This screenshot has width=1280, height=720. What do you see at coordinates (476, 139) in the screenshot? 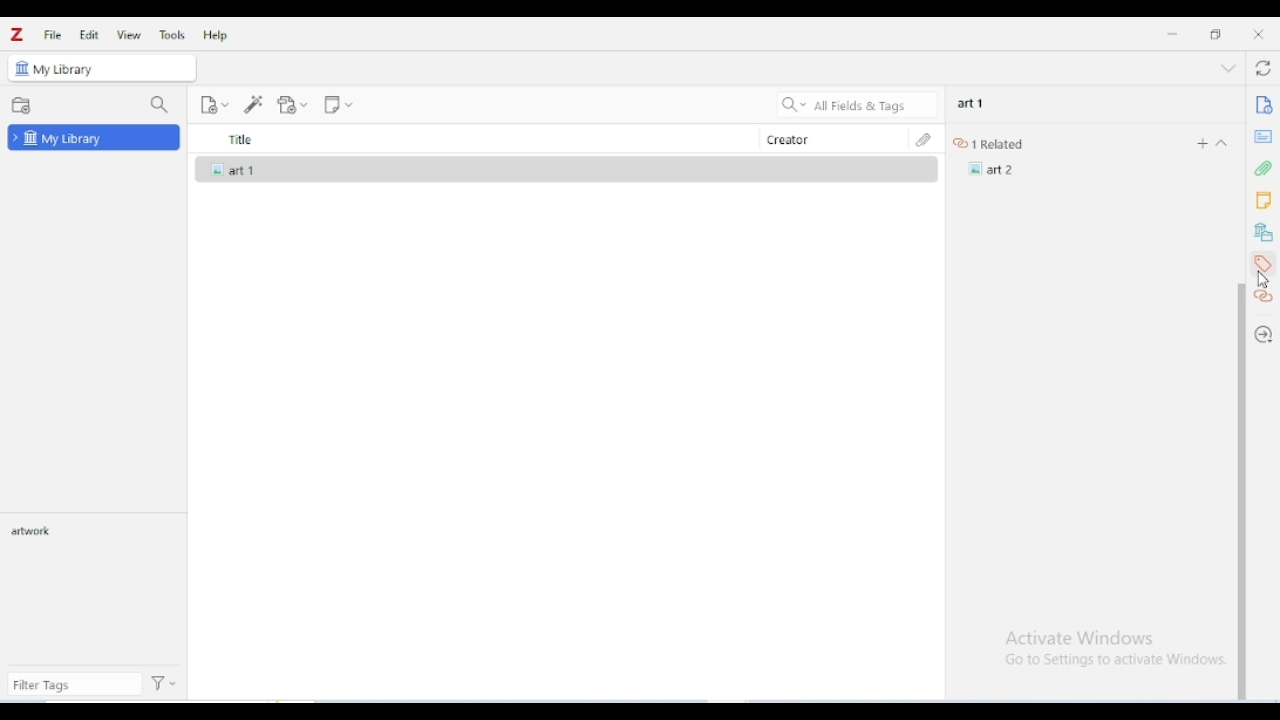
I see `title` at bounding box center [476, 139].